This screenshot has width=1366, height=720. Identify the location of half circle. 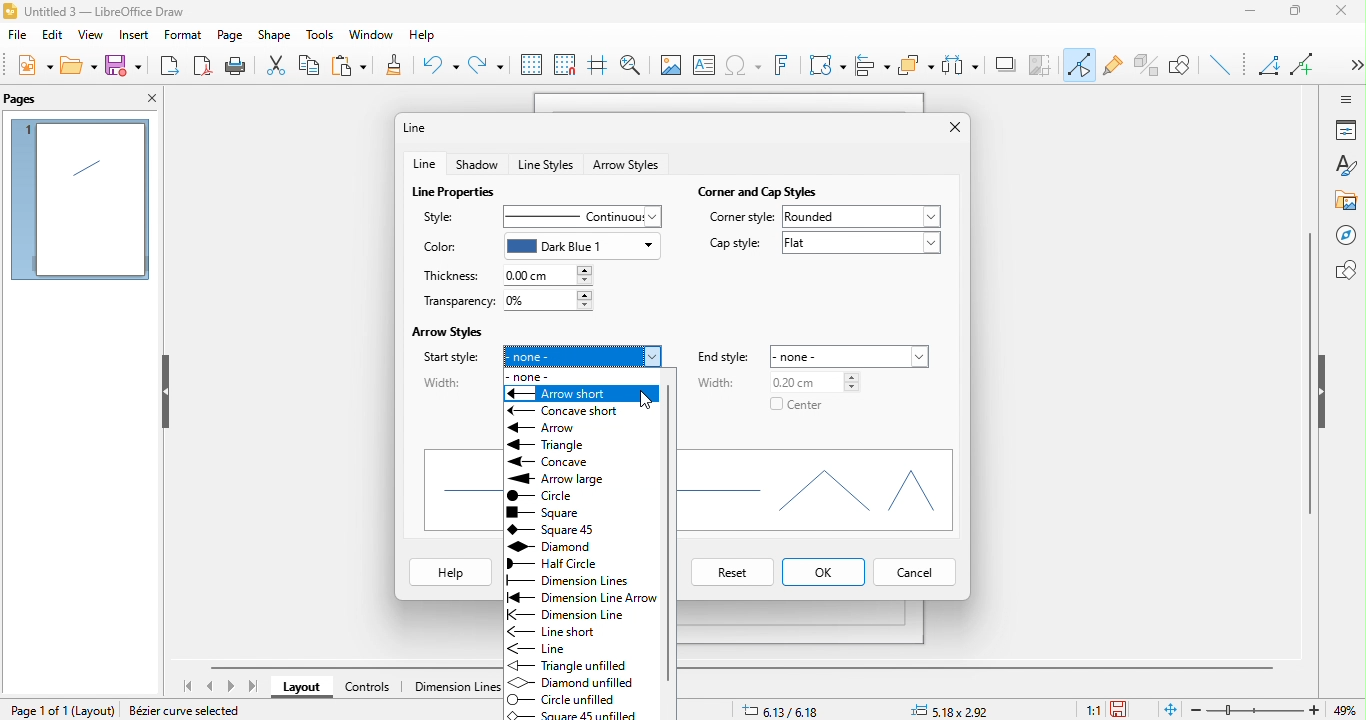
(579, 564).